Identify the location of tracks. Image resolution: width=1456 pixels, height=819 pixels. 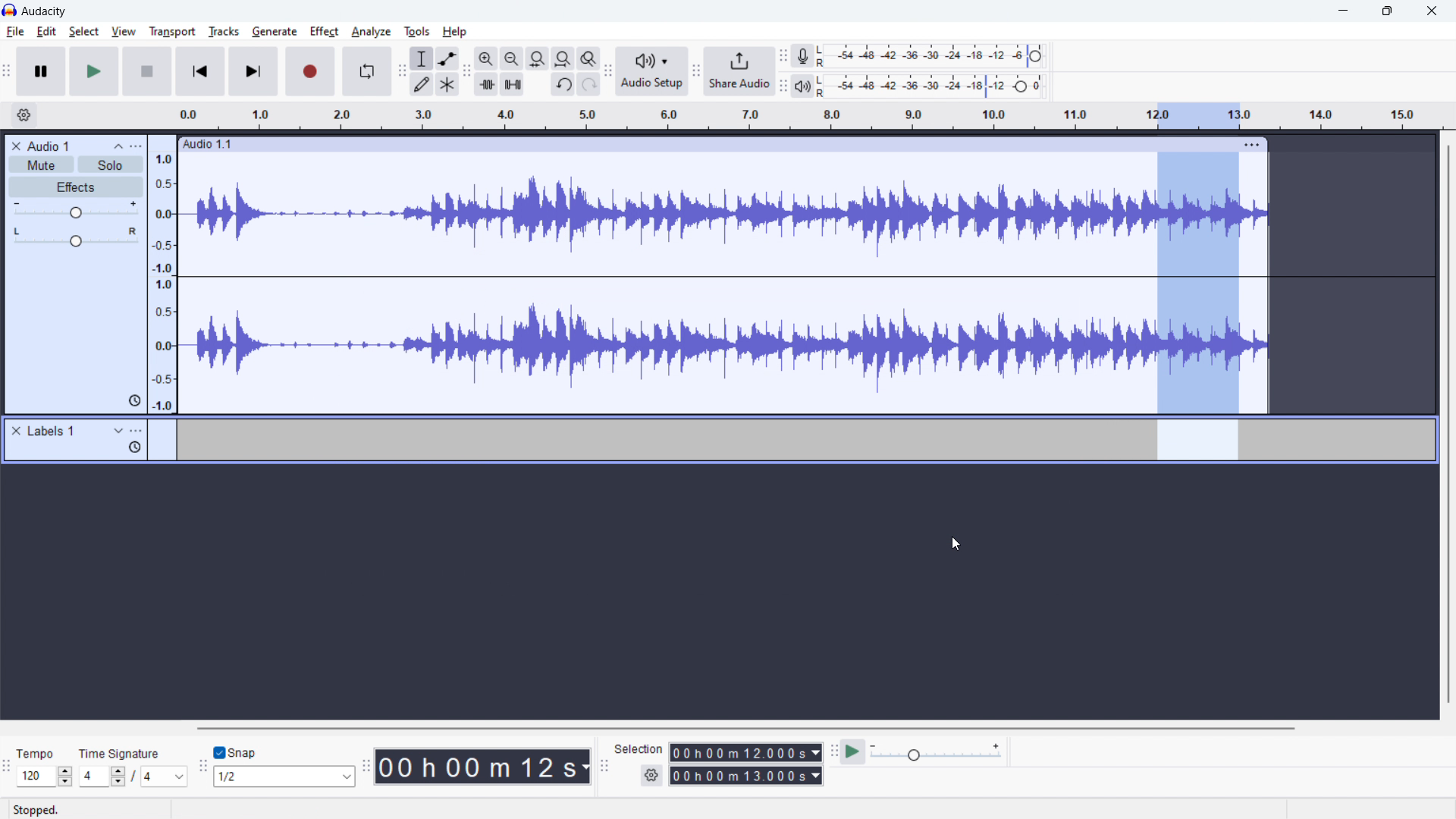
(223, 31).